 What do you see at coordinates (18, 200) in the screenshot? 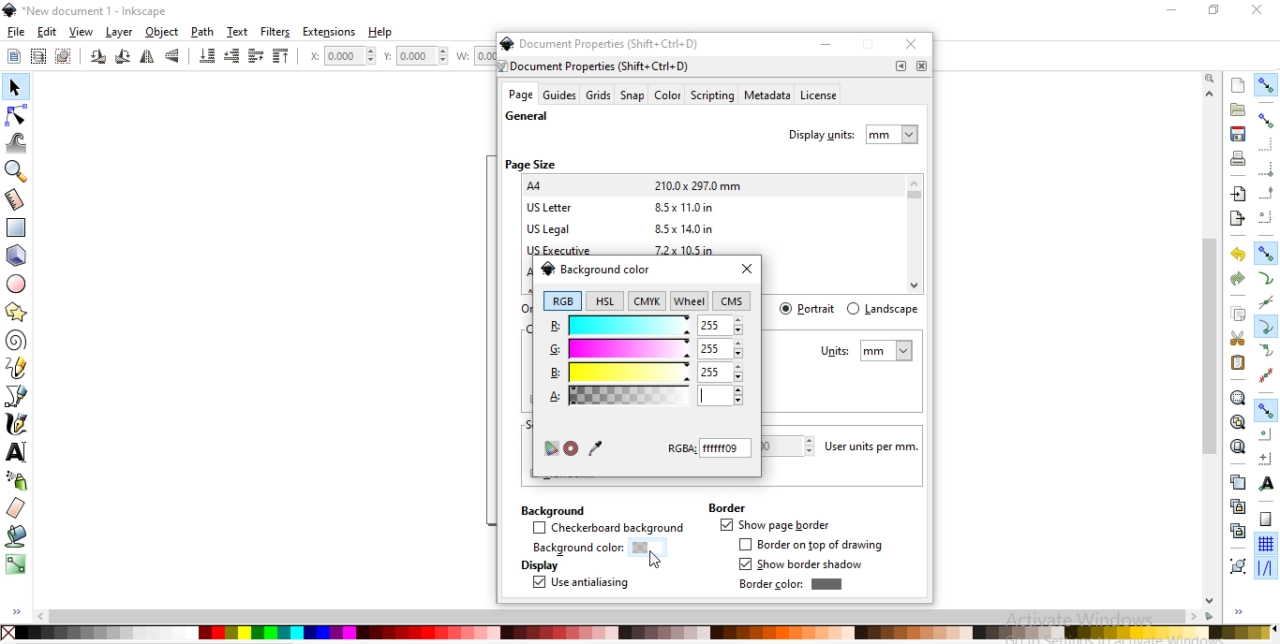
I see `measurement tools` at bounding box center [18, 200].